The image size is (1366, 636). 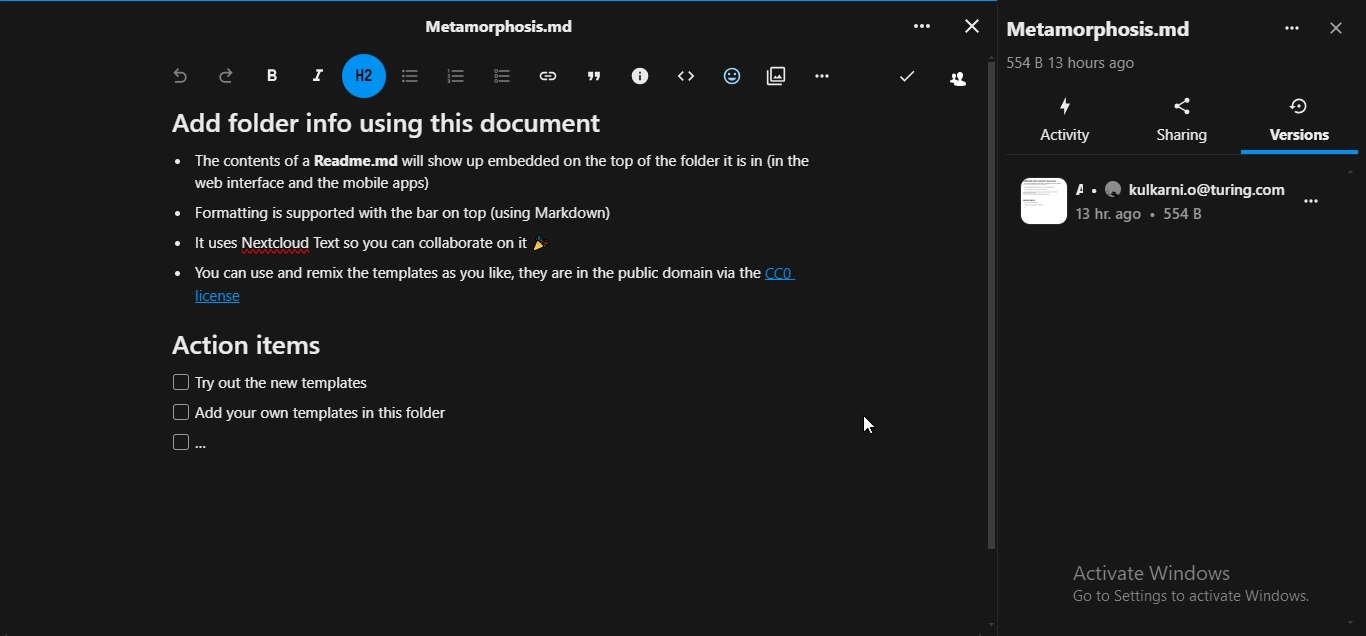 I want to click on undo, so click(x=180, y=77).